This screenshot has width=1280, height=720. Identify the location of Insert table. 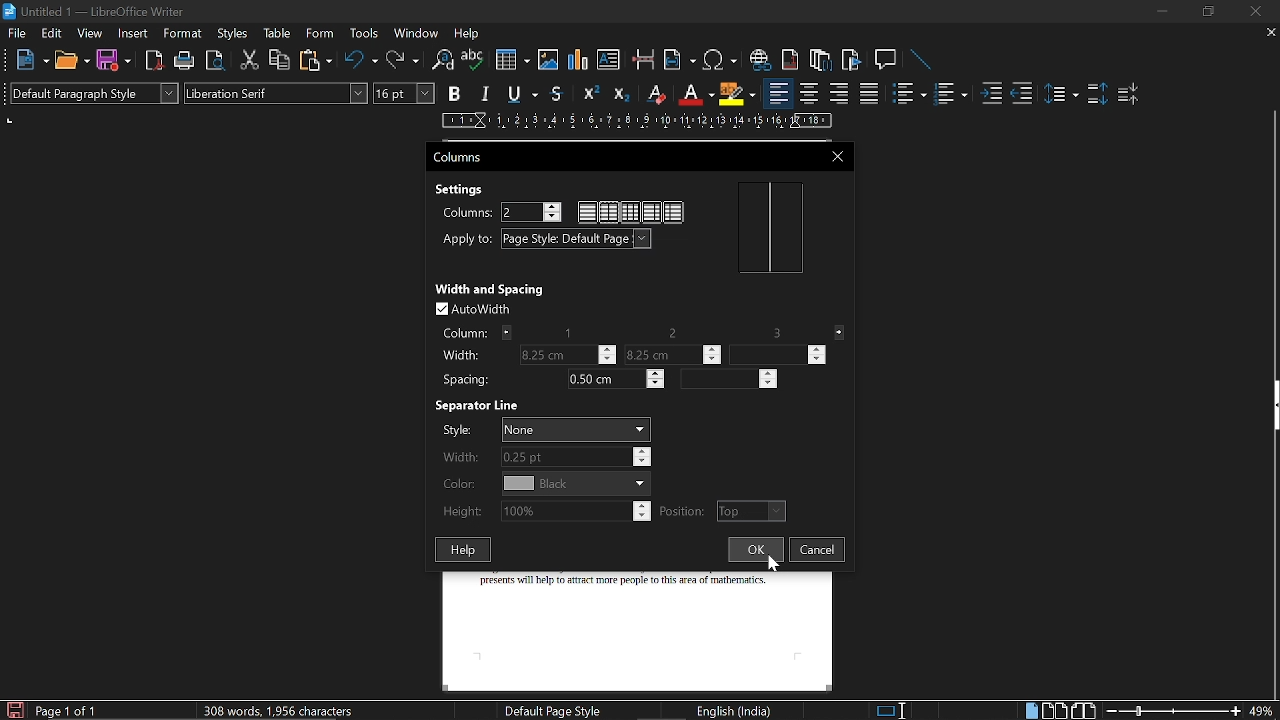
(512, 61).